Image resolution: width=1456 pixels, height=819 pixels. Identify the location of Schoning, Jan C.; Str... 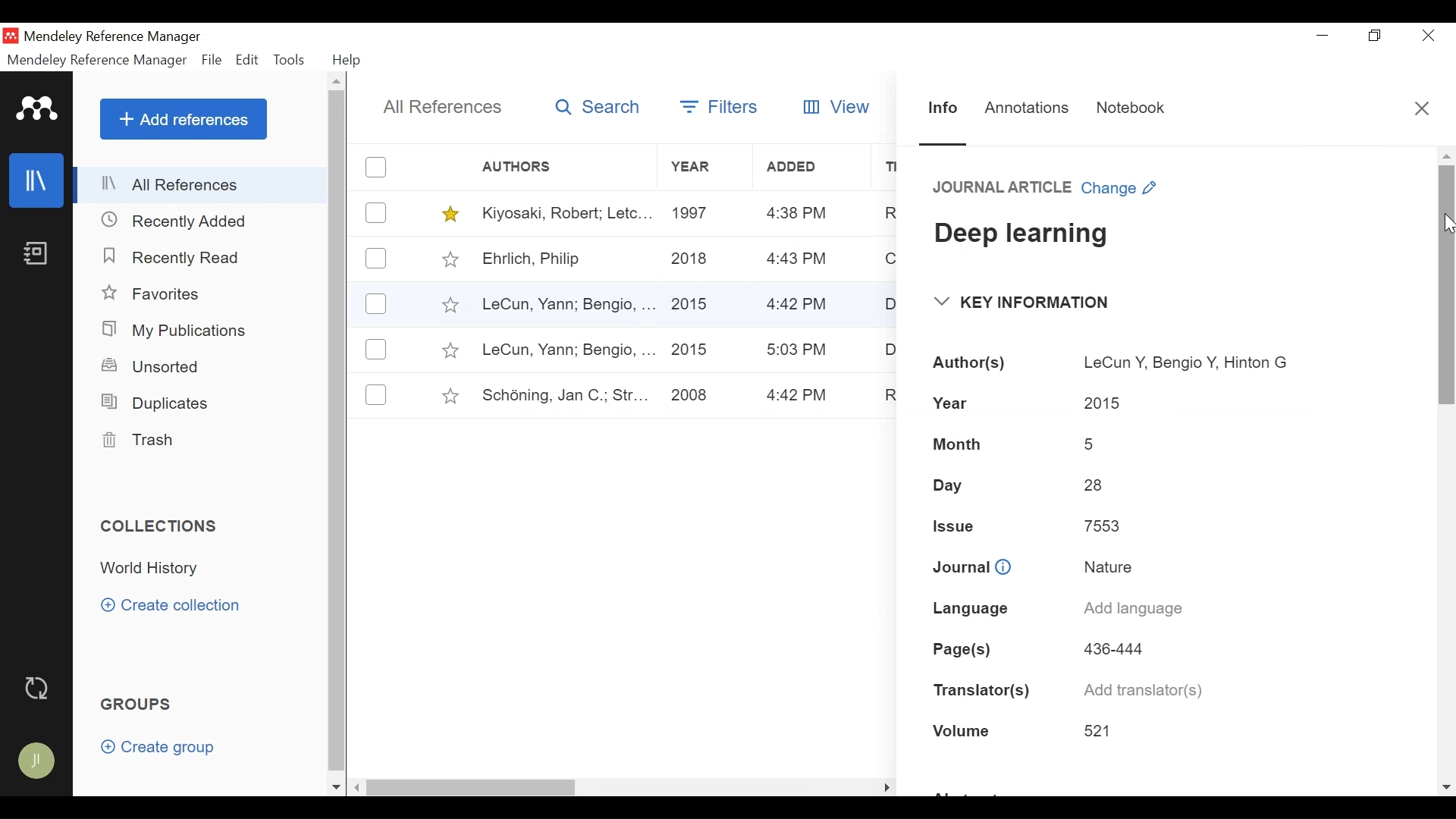
(560, 393).